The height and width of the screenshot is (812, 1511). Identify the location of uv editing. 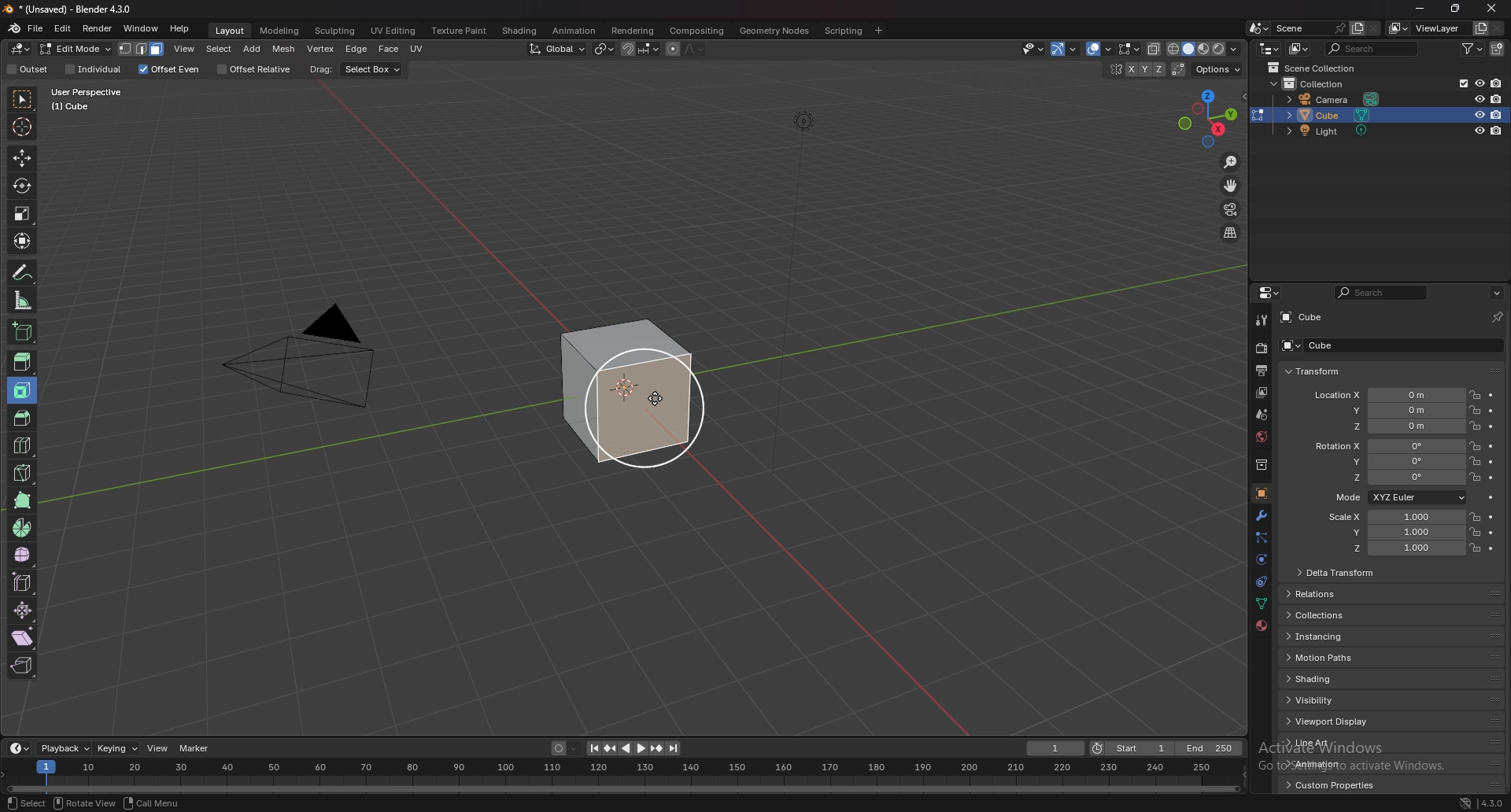
(393, 31).